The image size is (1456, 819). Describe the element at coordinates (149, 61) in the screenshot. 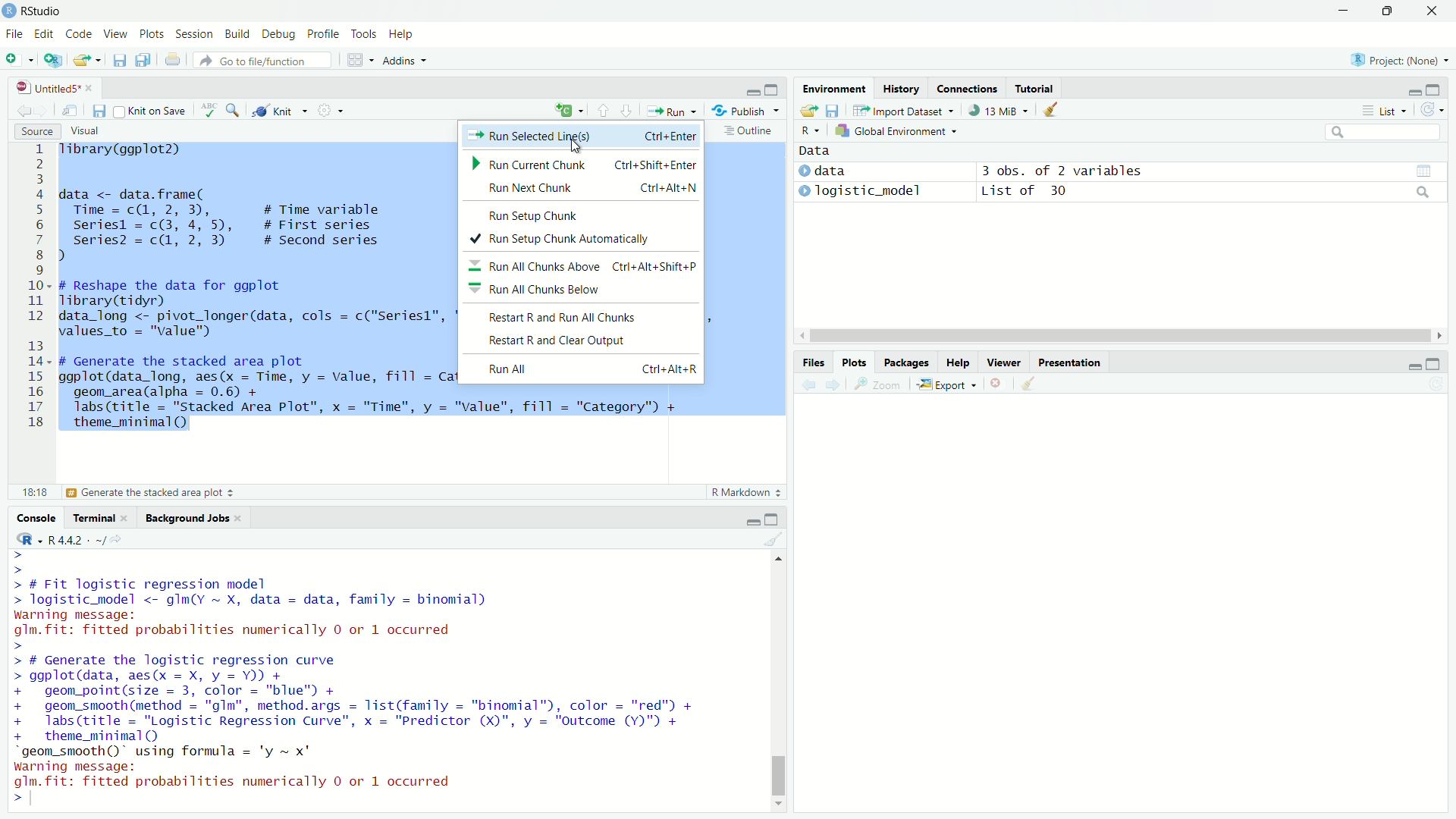

I see `copy` at that location.